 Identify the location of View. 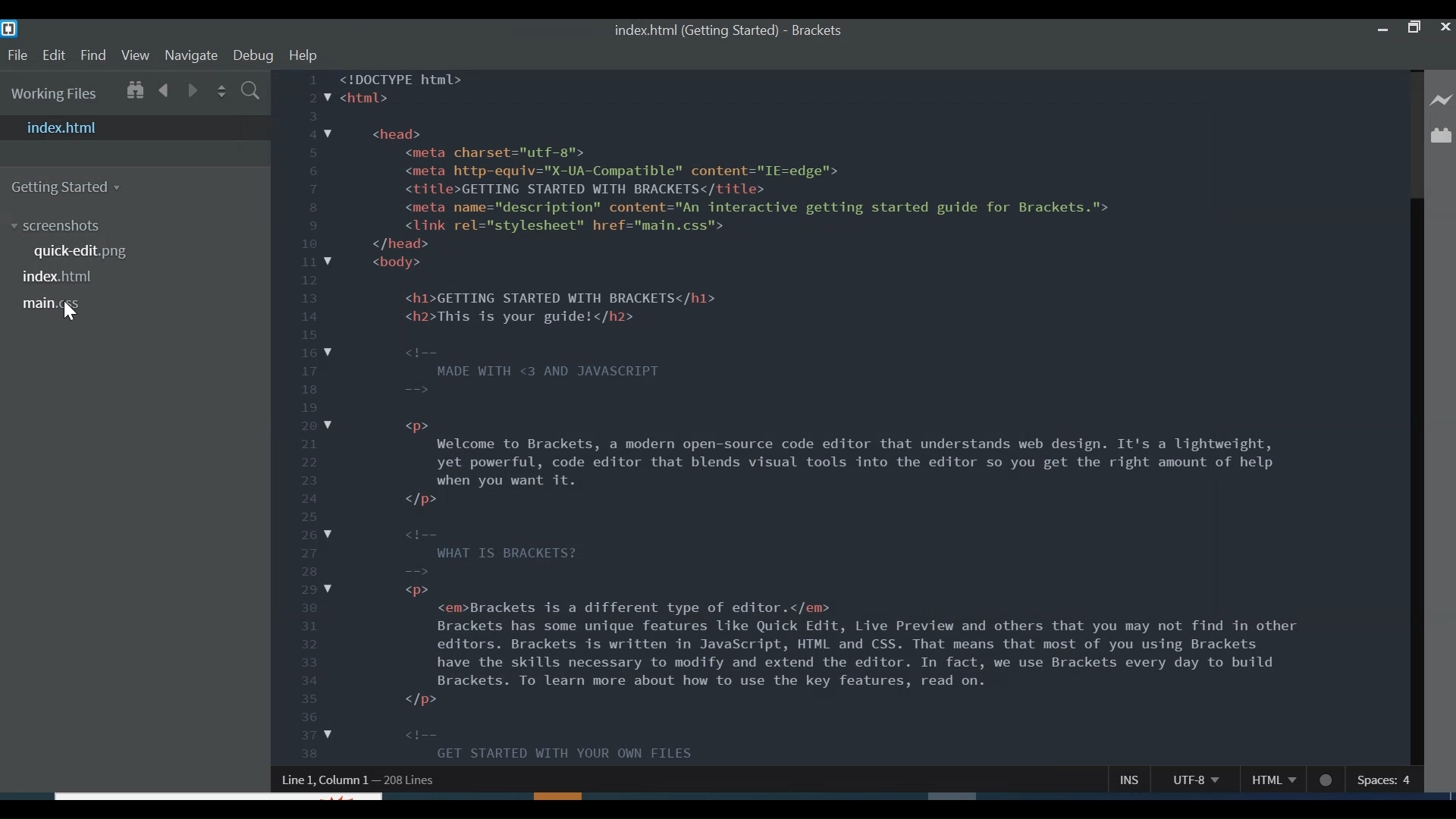
(135, 56).